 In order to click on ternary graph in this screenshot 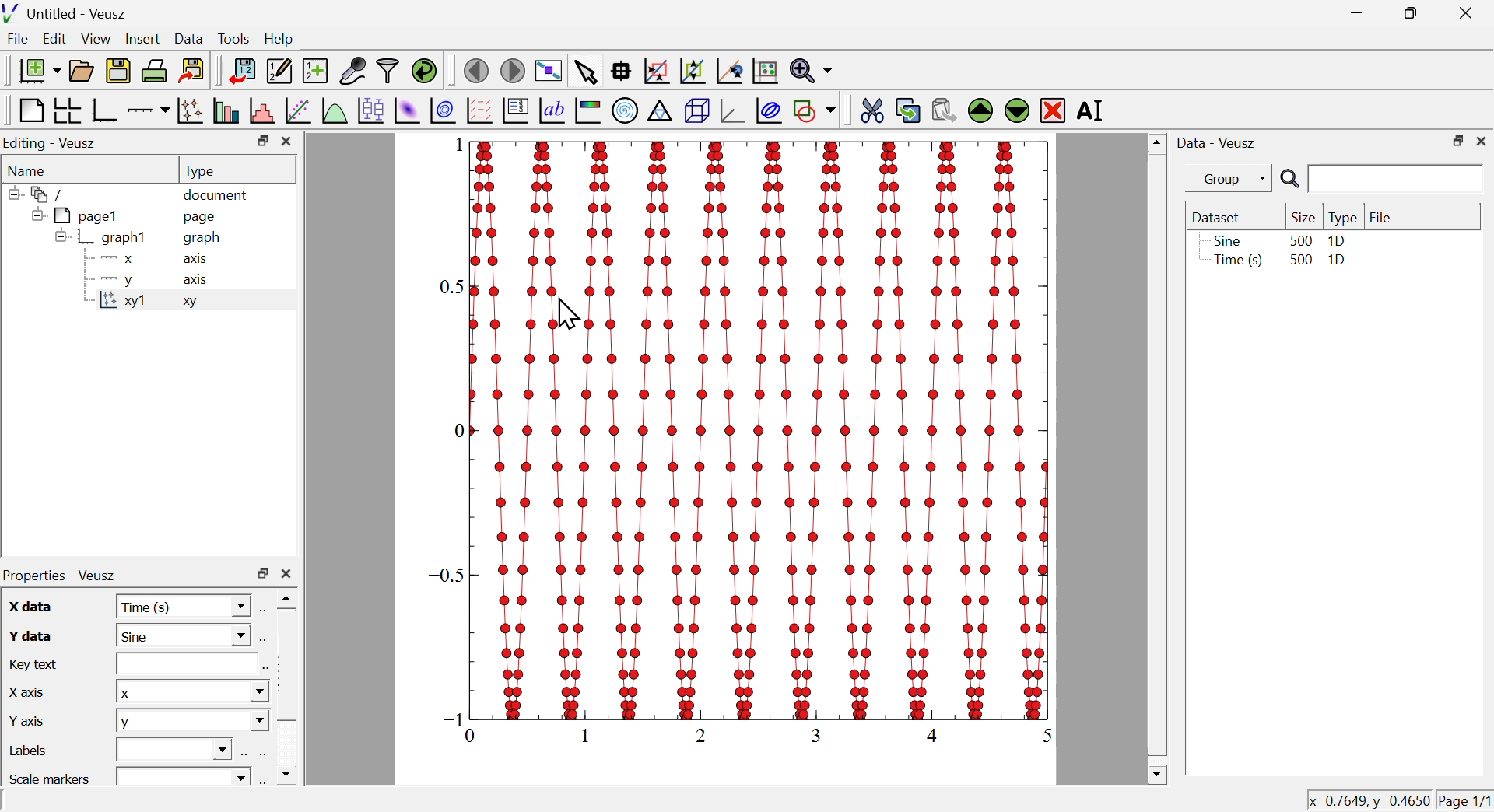, I will do `click(661, 113)`.